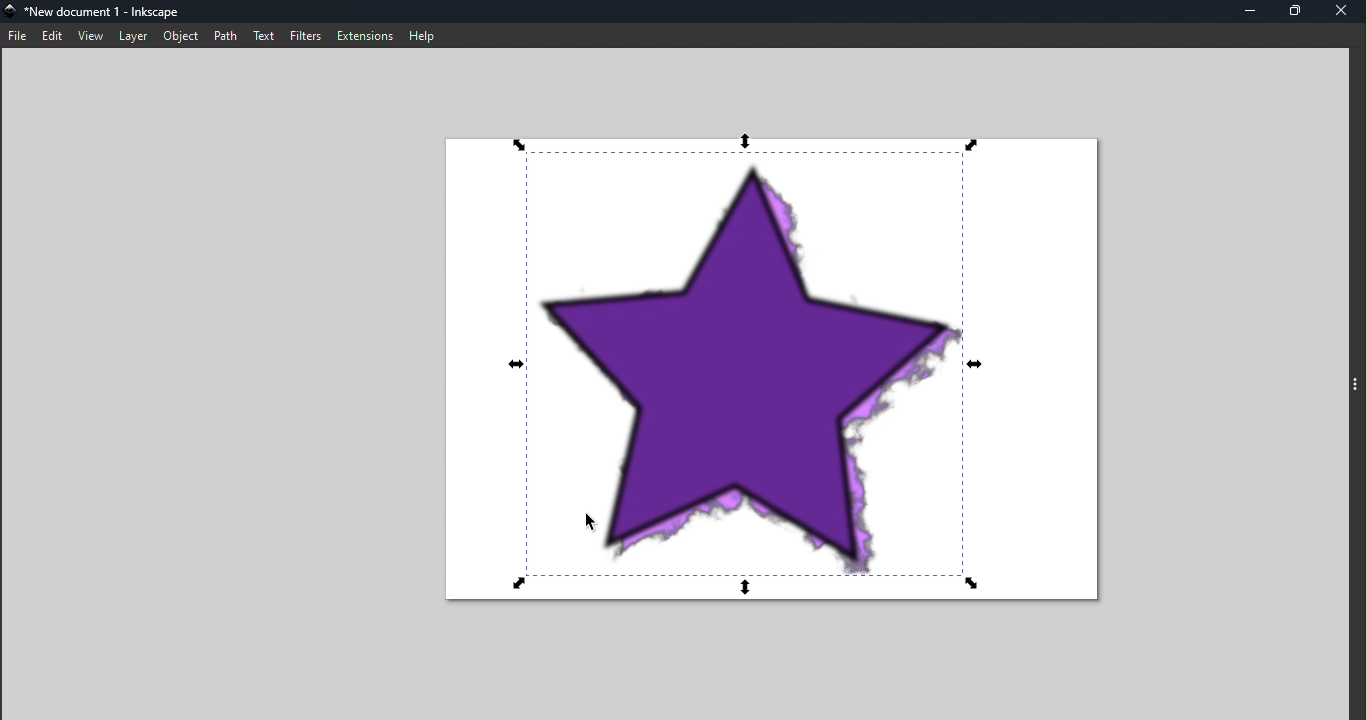 This screenshot has width=1366, height=720. I want to click on Minimize, so click(1252, 12).